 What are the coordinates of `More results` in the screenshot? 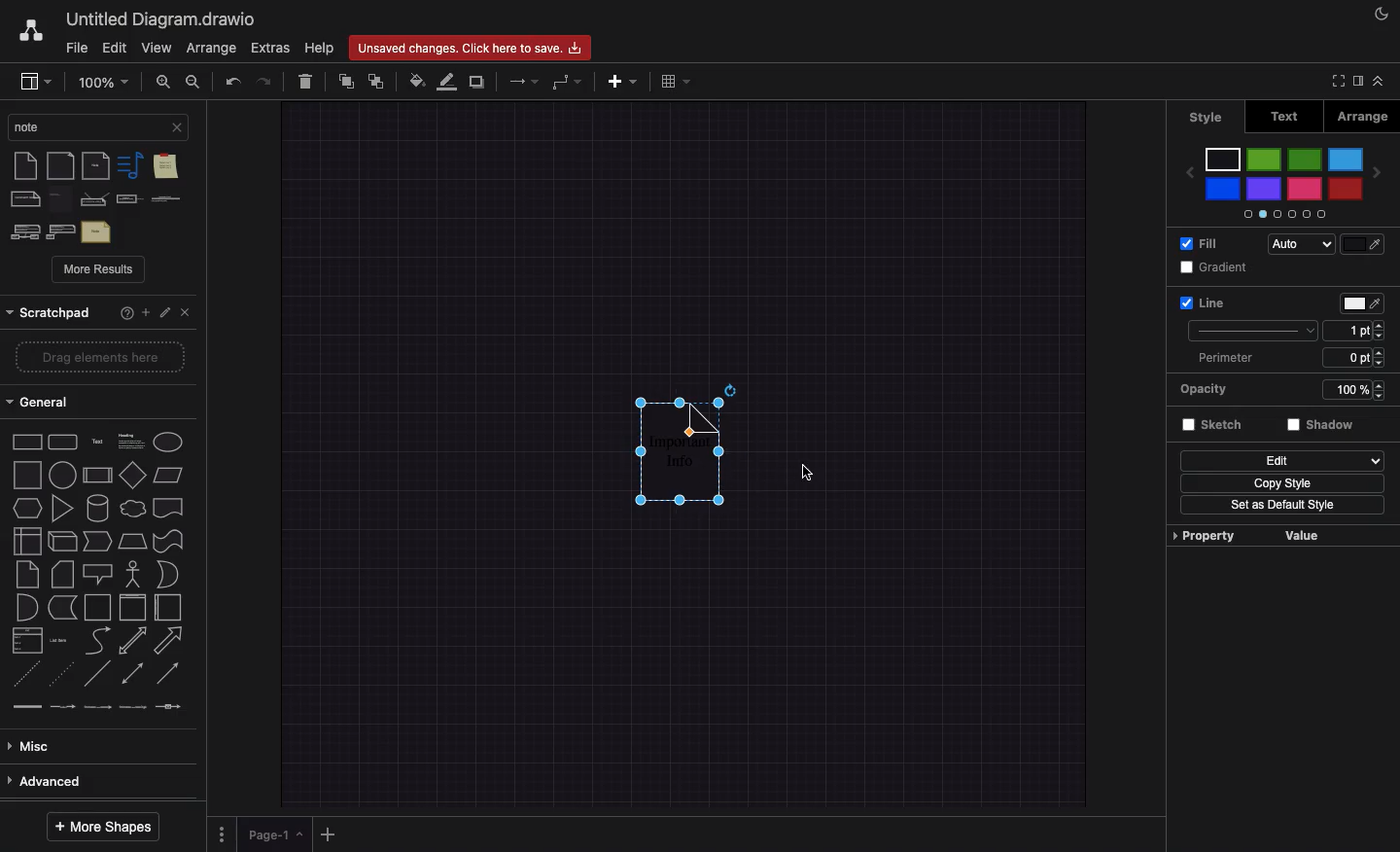 It's located at (99, 270).